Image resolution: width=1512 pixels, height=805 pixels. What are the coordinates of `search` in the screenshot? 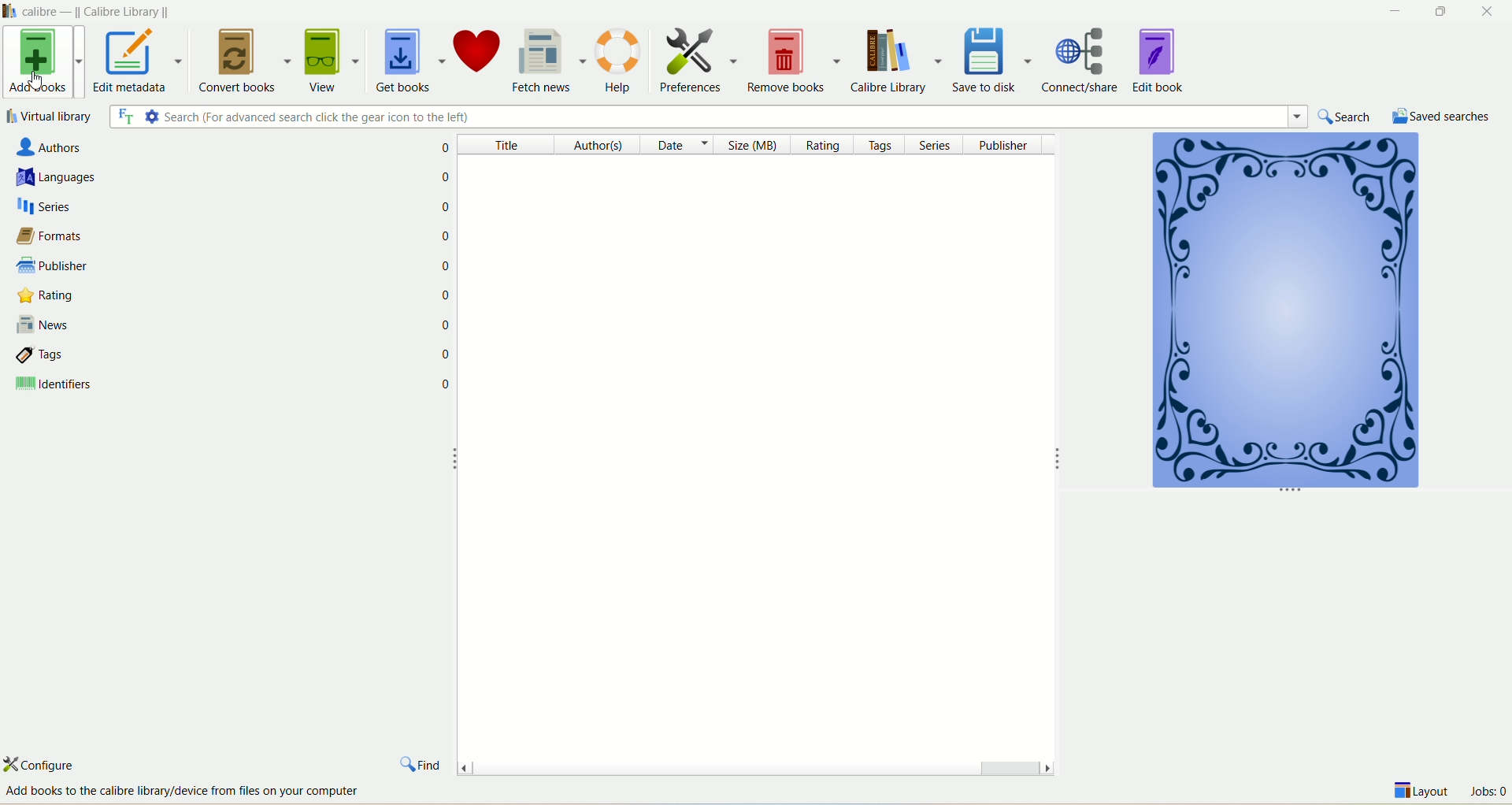 It's located at (710, 118).